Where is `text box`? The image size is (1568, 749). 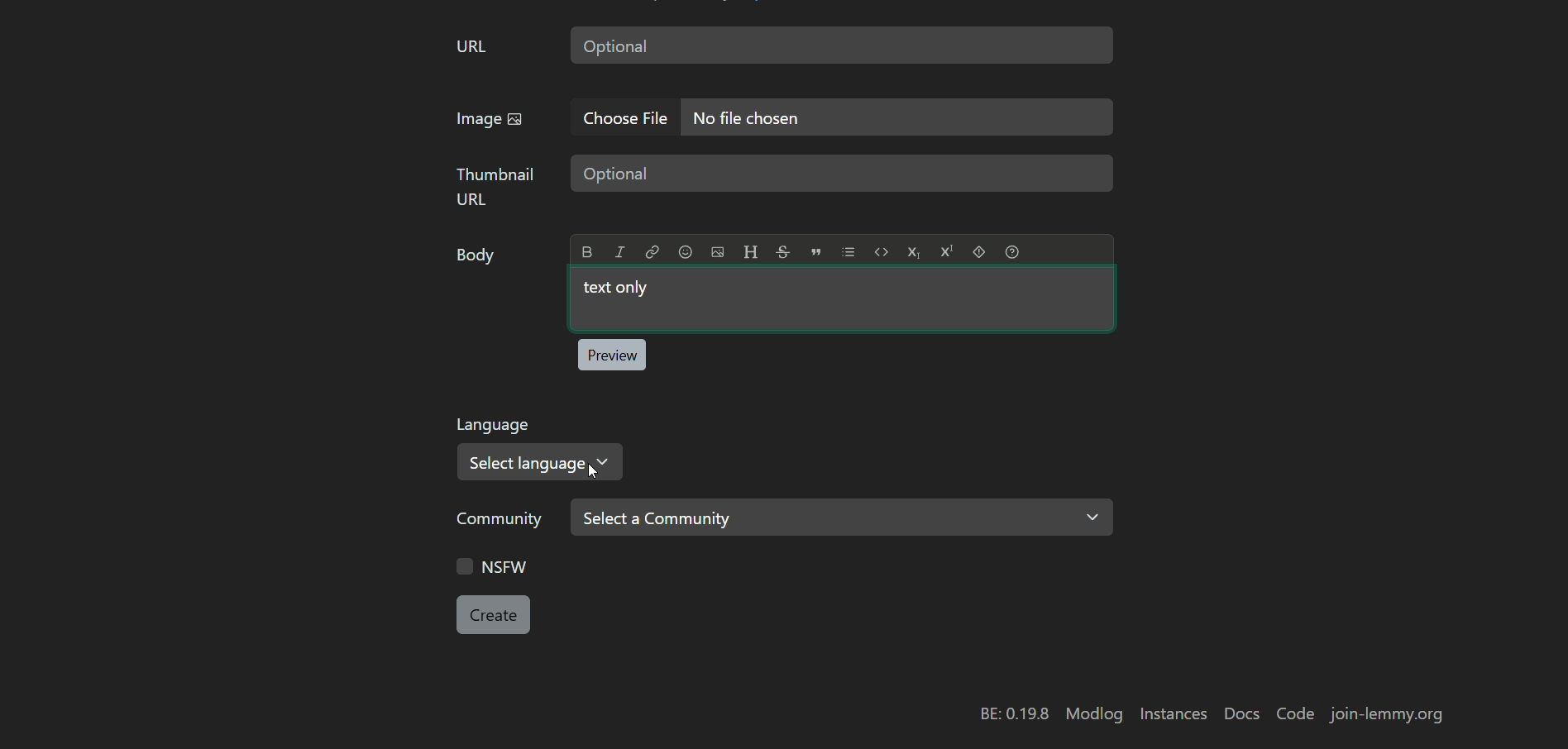 text box is located at coordinates (842, 45).